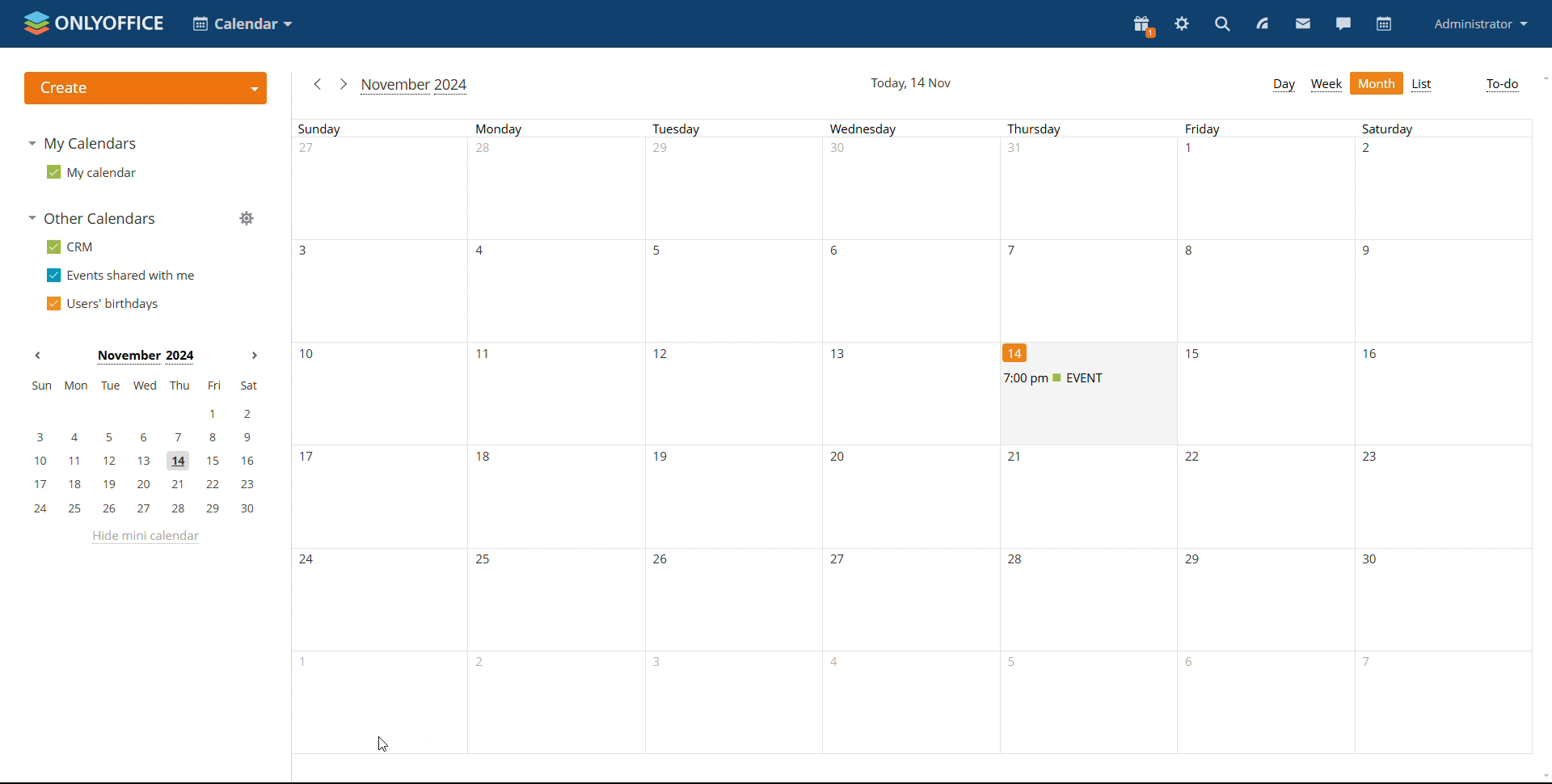  What do you see at coordinates (90, 172) in the screenshot?
I see `my calendar` at bounding box center [90, 172].